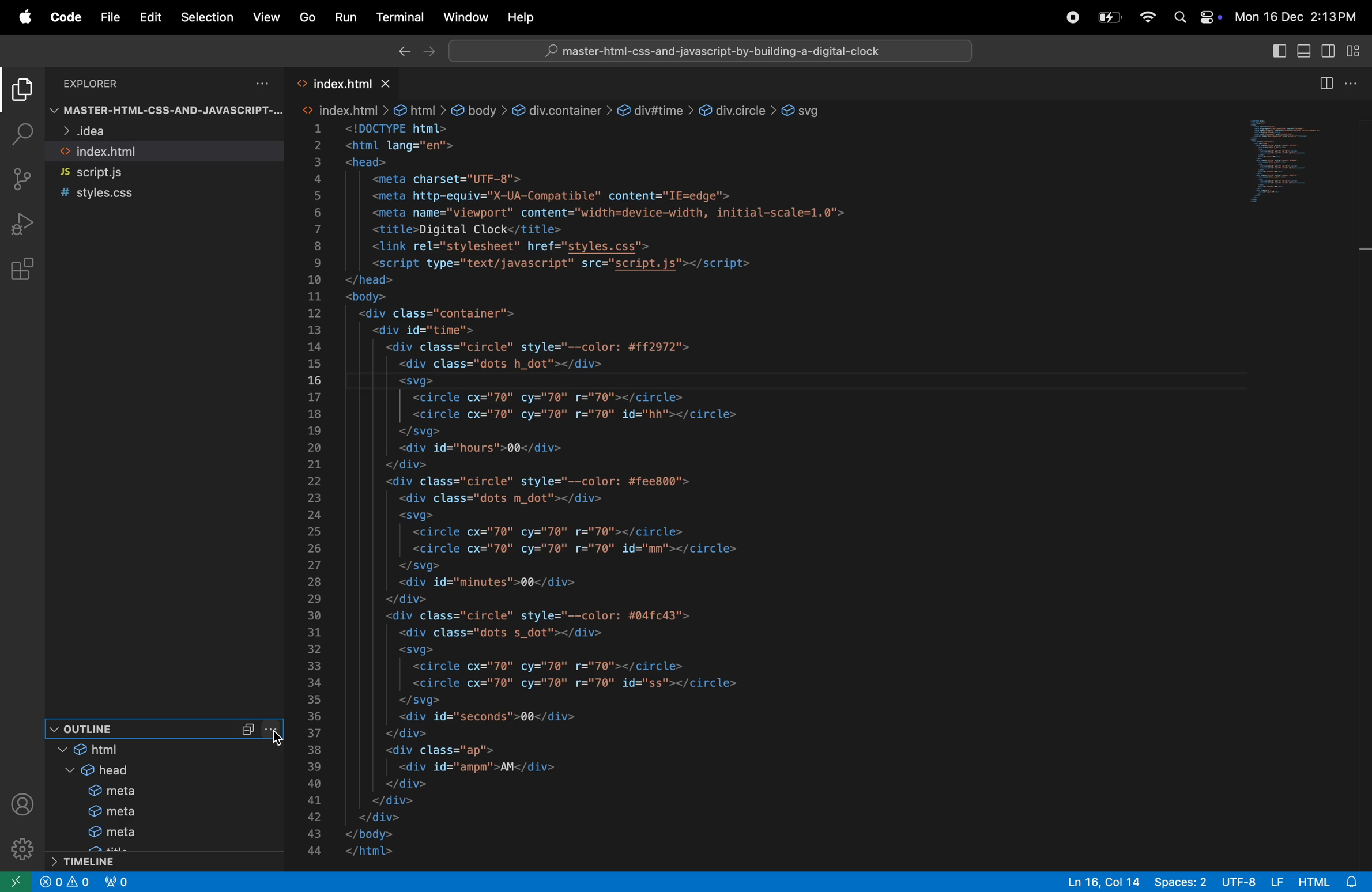 Image resolution: width=1372 pixels, height=892 pixels. What do you see at coordinates (206, 18) in the screenshot?
I see `selection` at bounding box center [206, 18].